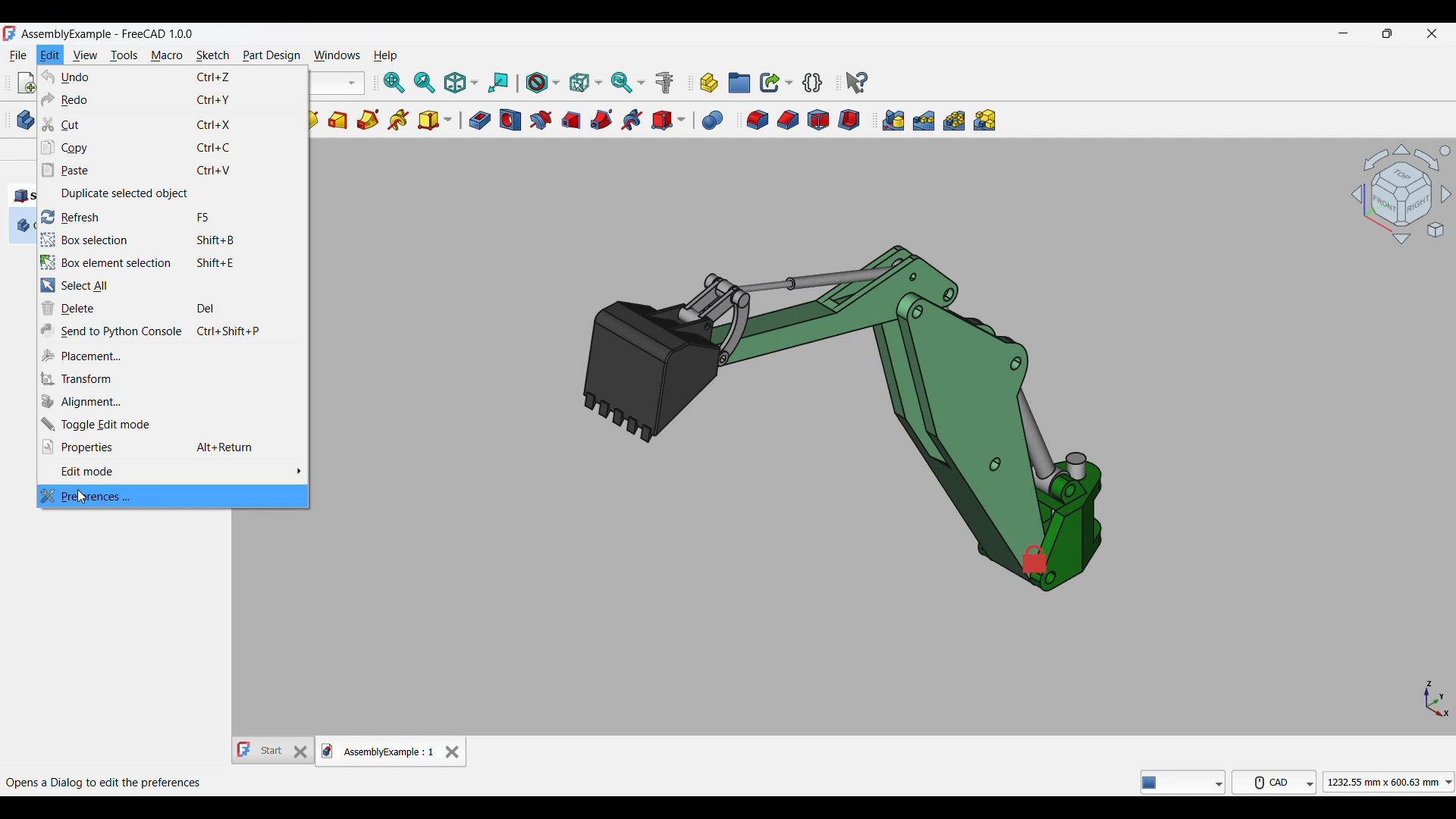  Describe the element at coordinates (669, 121) in the screenshot. I see `Create a subtractive primitive` at that location.